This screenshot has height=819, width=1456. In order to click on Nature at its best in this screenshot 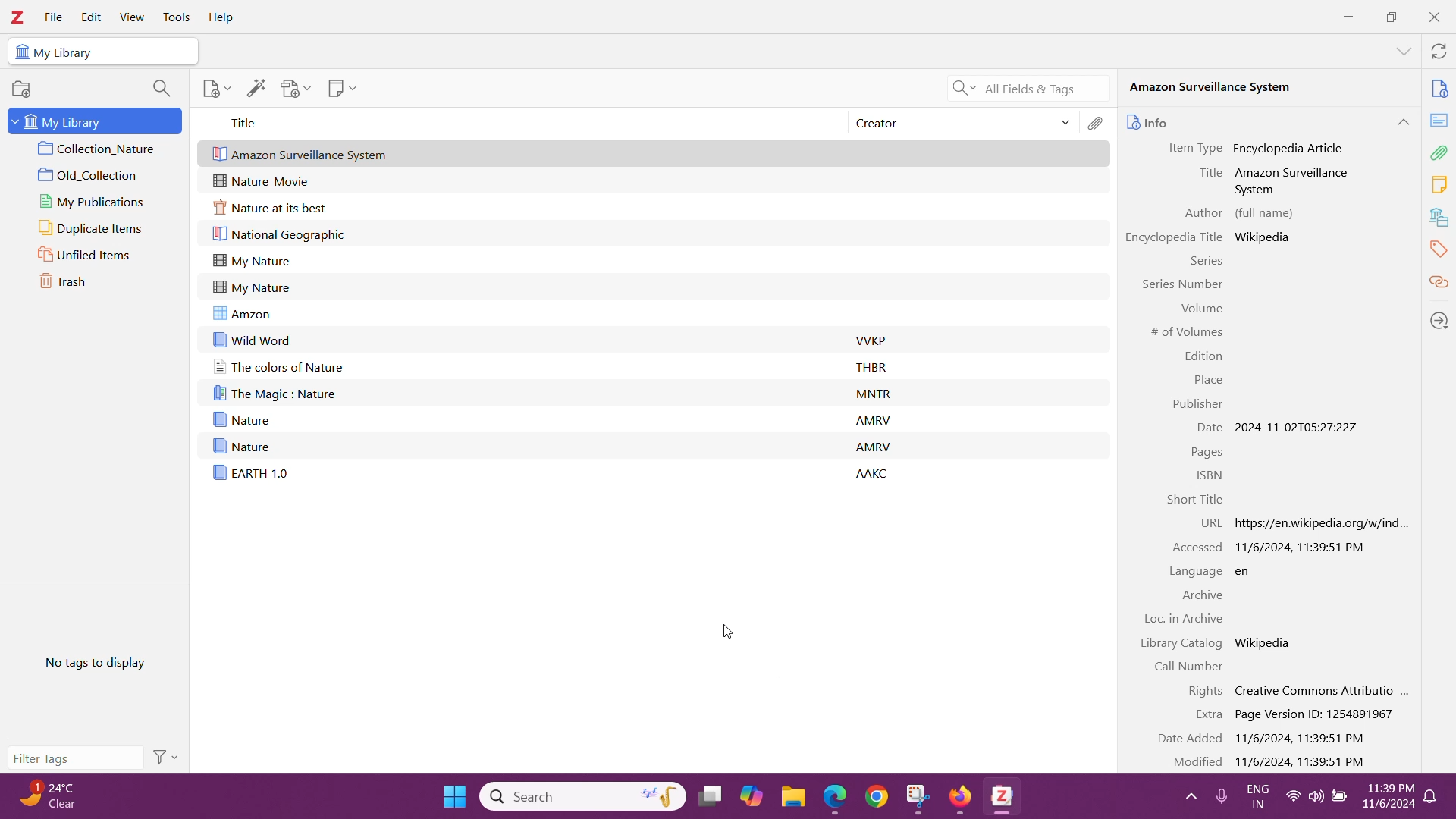, I will do `click(273, 208)`.